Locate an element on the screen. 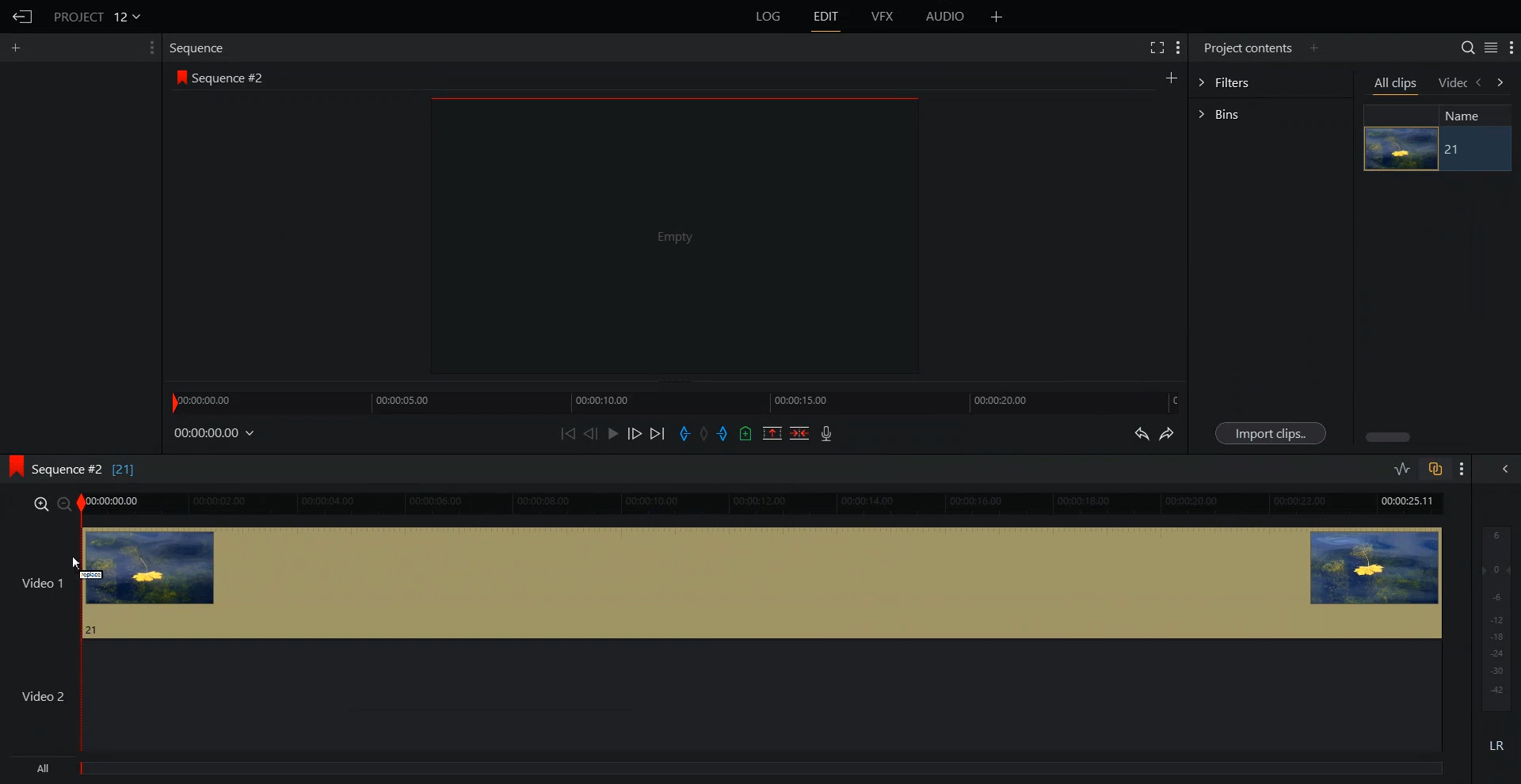  Add an Out Mark to current position is located at coordinates (724, 433).